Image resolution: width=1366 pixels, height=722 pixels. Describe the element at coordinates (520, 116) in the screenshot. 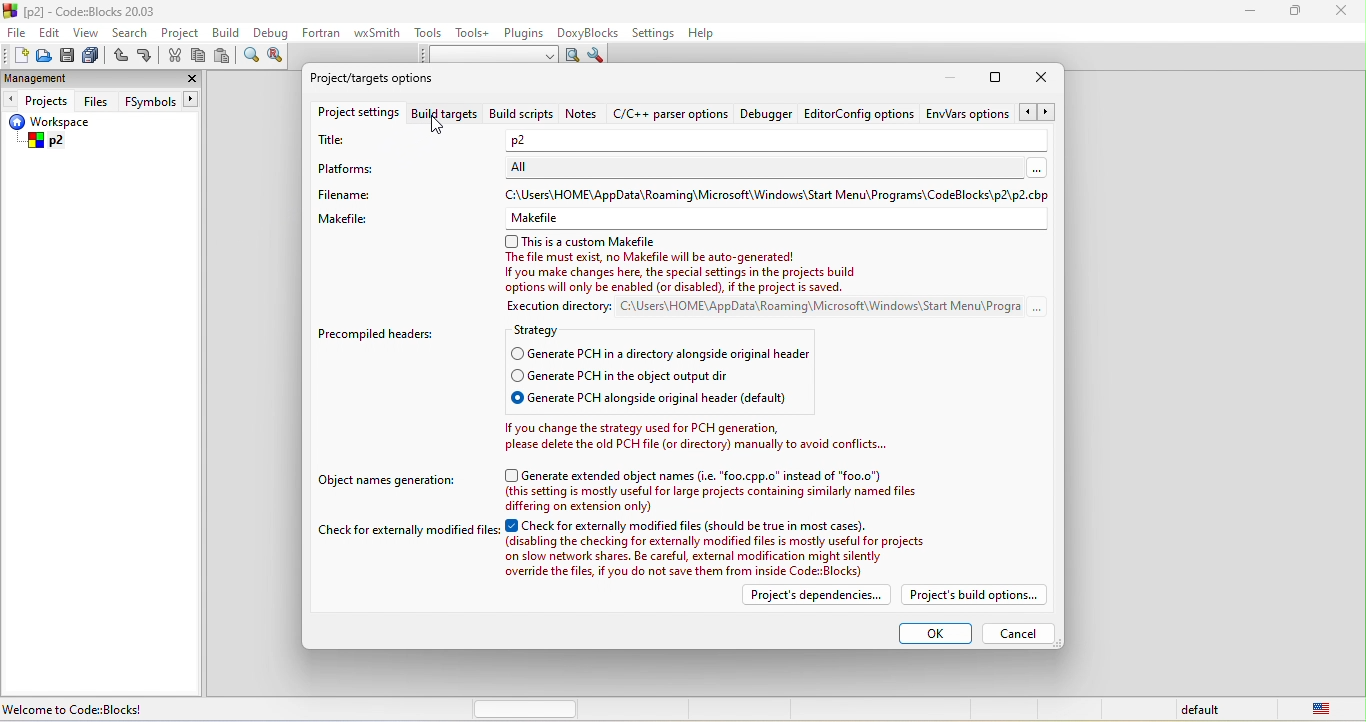

I see `build scripts` at that location.